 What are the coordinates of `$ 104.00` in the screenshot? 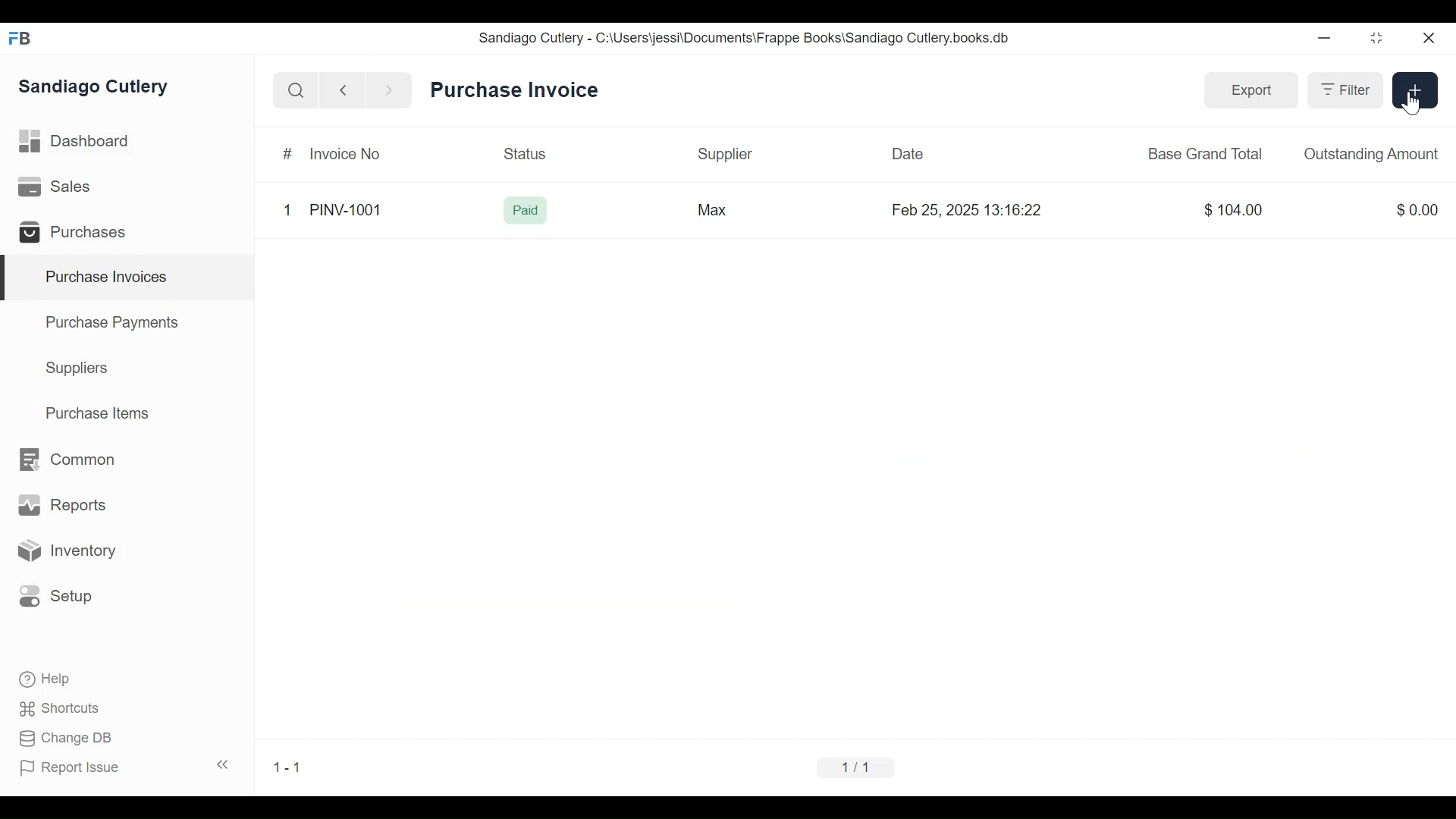 It's located at (1235, 209).